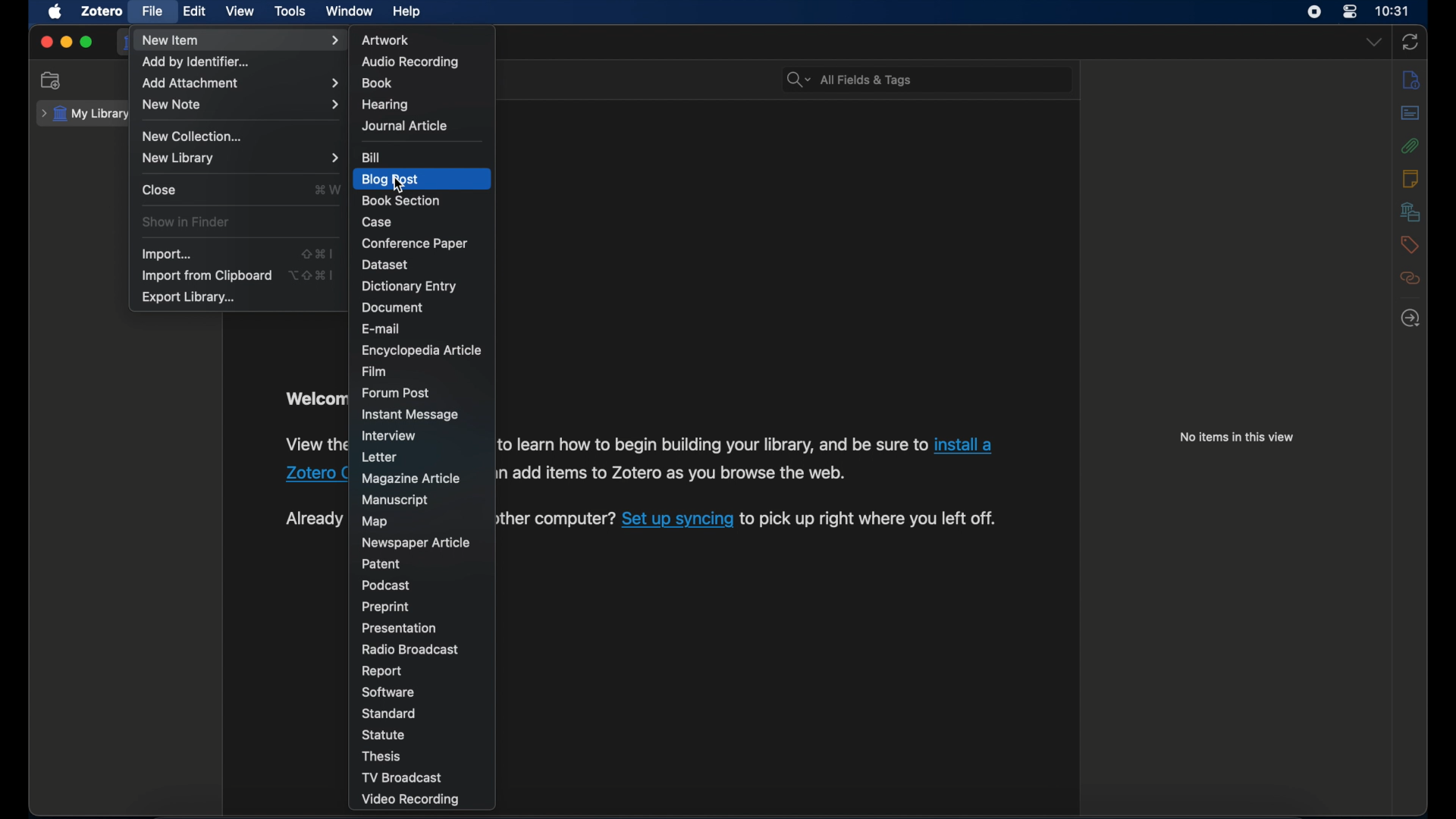 Image resolution: width=1456 pixels, height=819 pixels. Describe the element at coordinates (193, 136) in the screenshot. I see `new collection` at that location.